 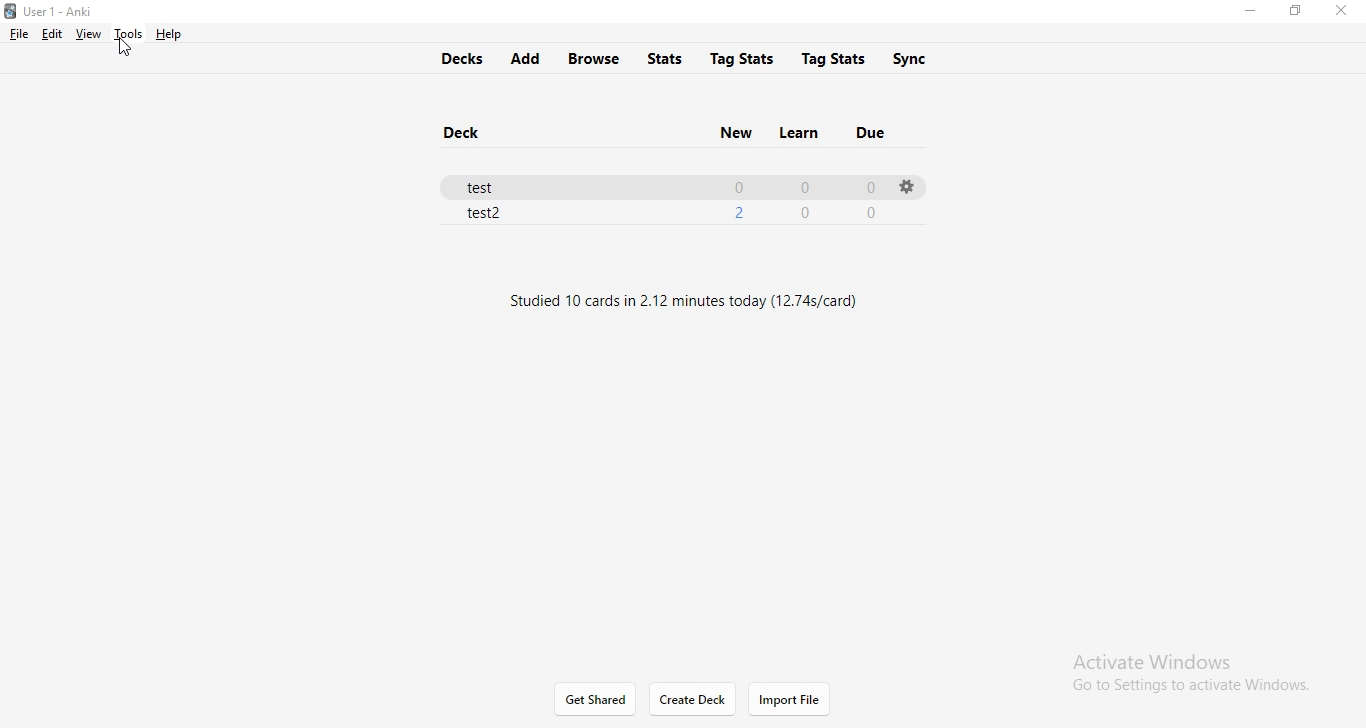 I want to click on close, so click(x=1342, y=11).